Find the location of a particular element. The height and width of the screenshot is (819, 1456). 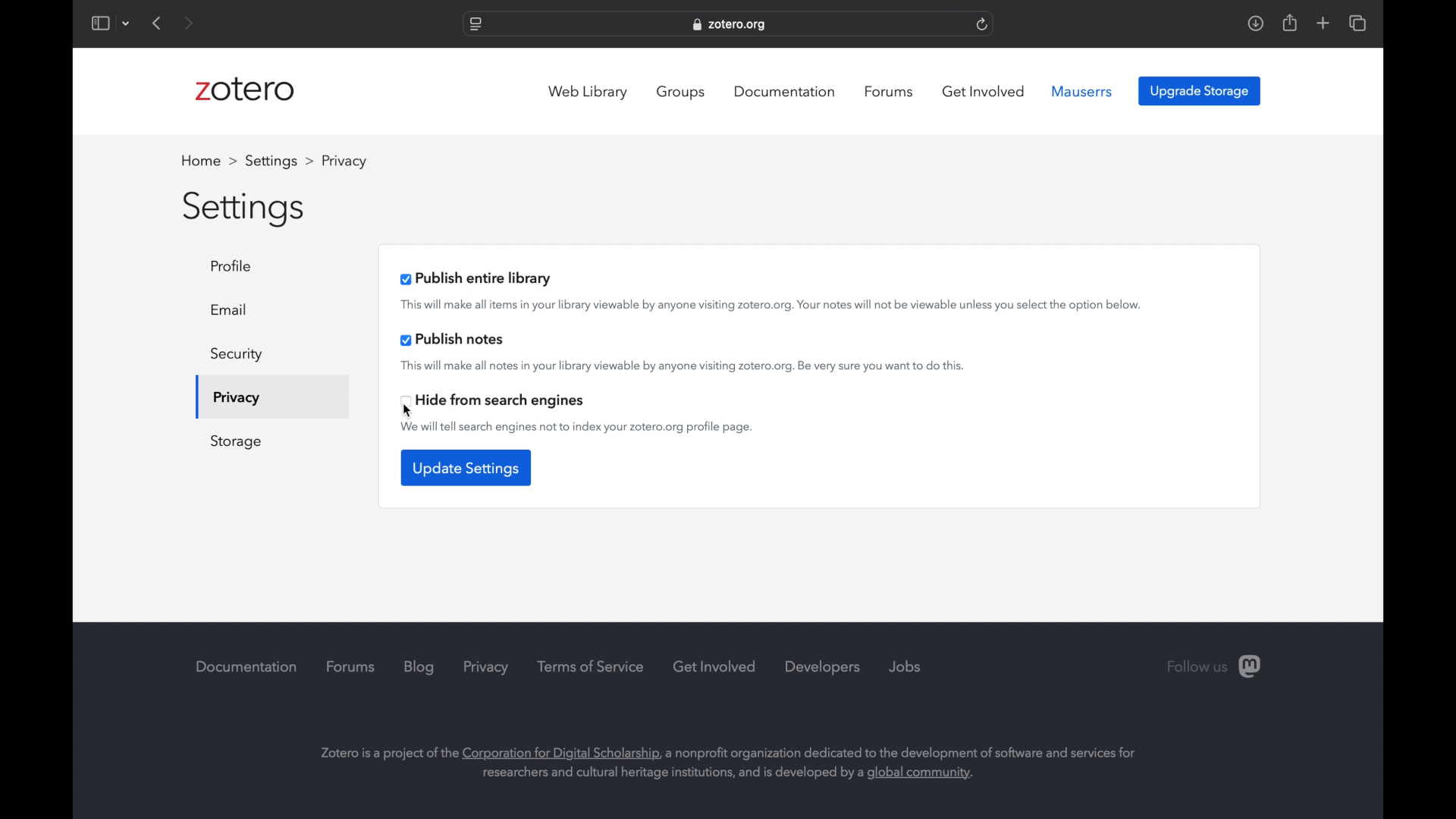

follow us is located at coordinates (1215, 667).